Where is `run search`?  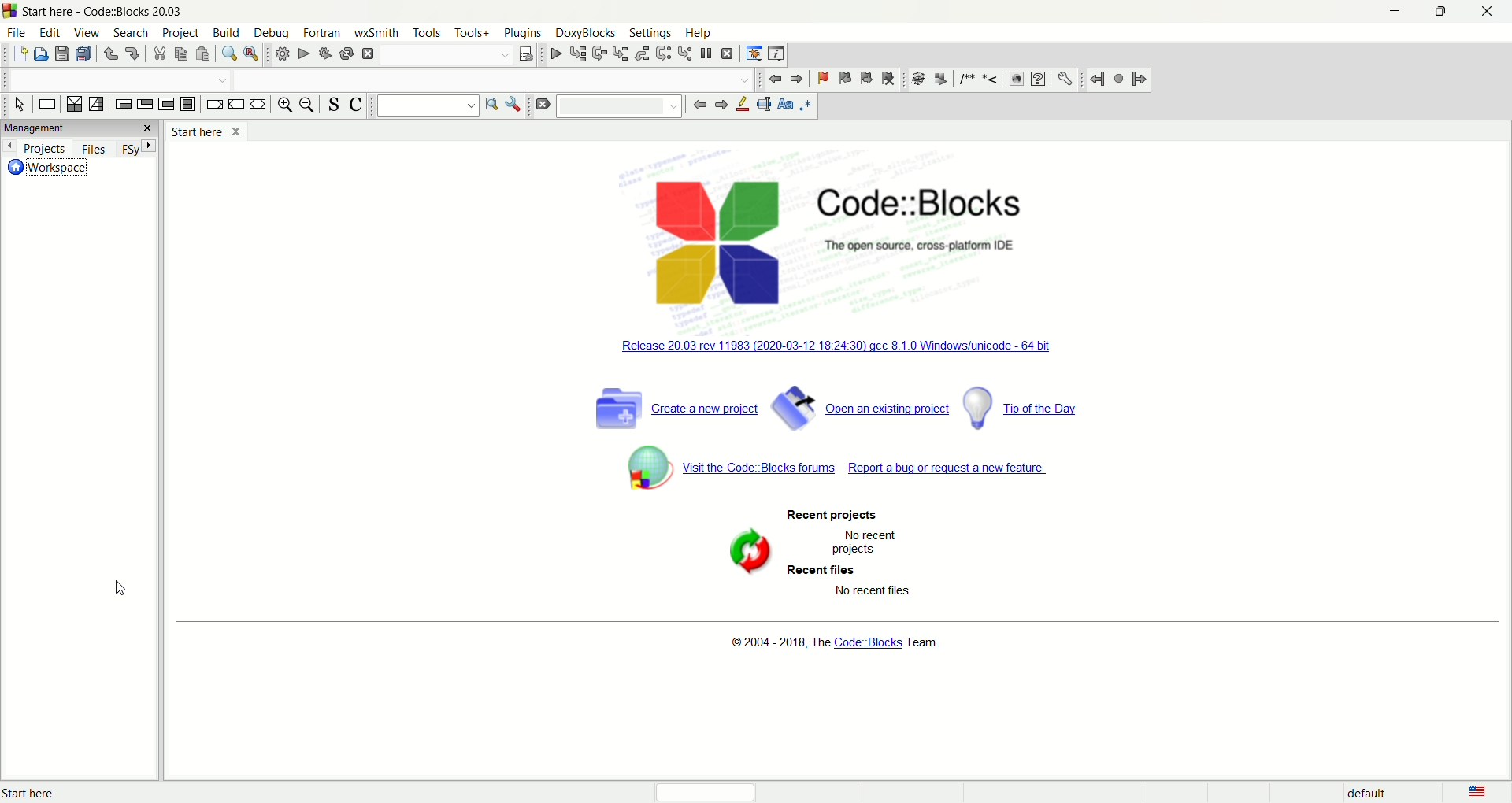
run search is located at coordinates (492, 105).